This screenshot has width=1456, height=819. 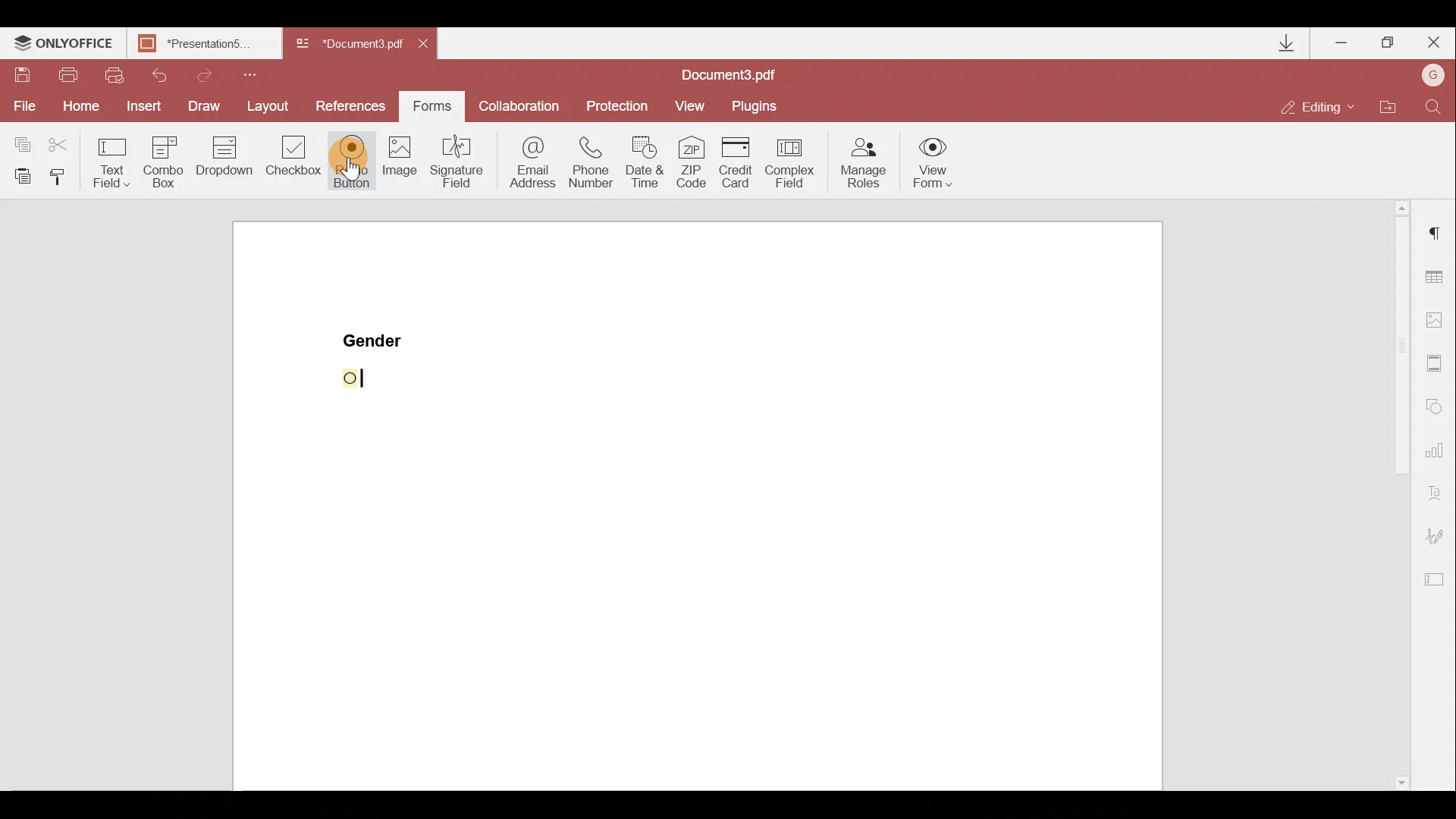 I want to click on Complex field, so click(x=795, y=160).